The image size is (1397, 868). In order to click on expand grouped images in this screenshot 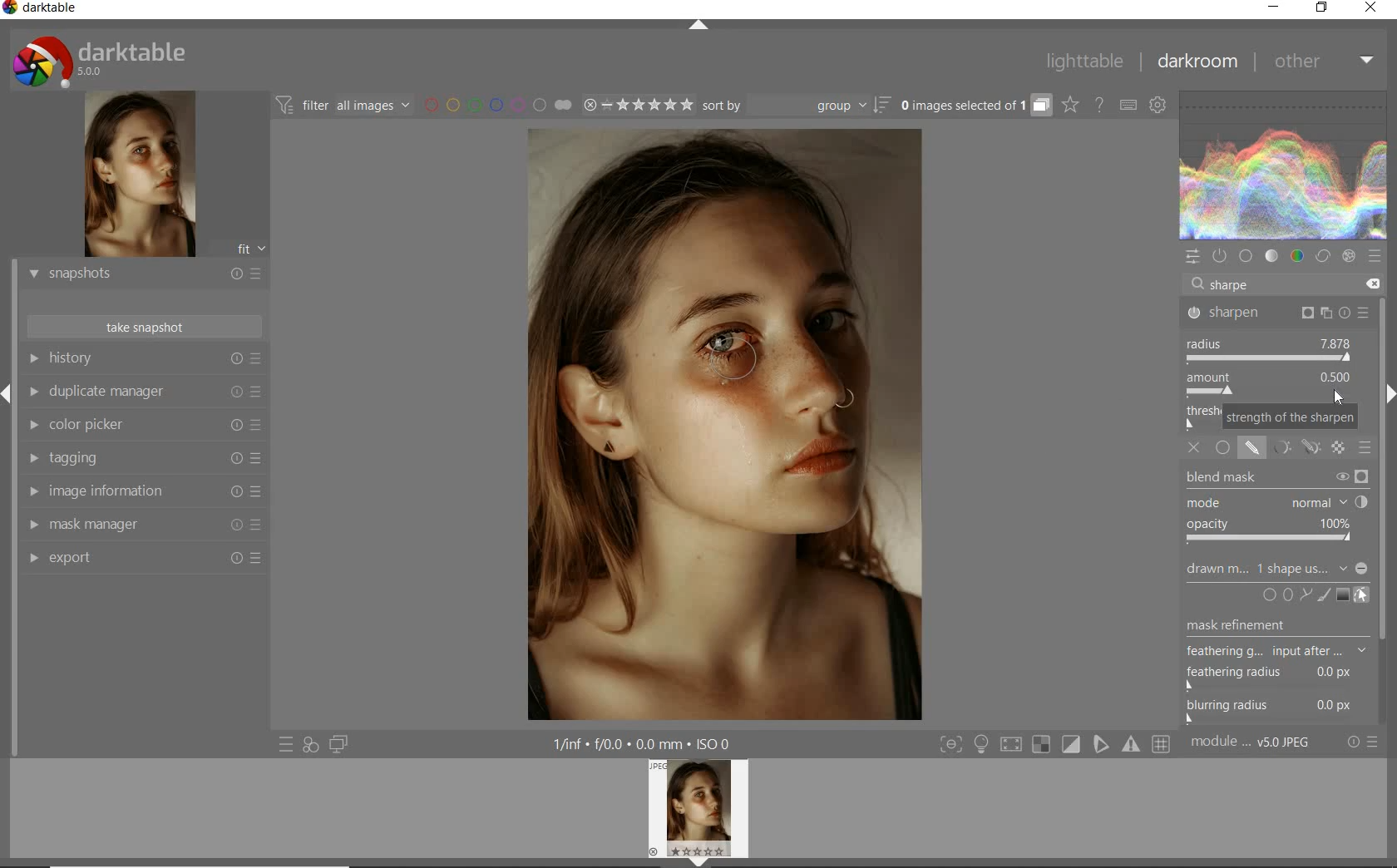, I will do `click(973, 105)`.